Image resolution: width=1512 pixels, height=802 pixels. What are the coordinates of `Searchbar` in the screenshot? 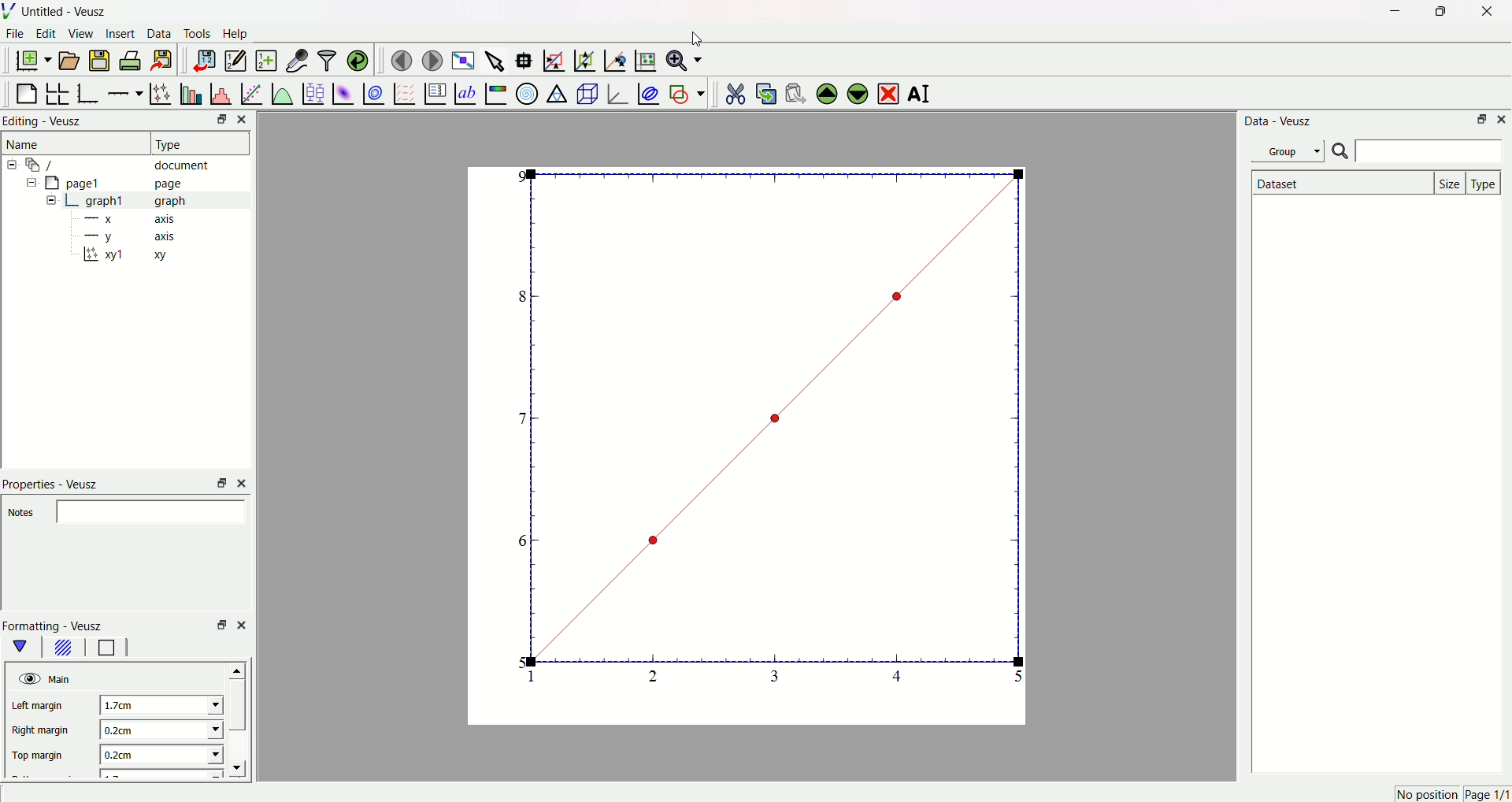 It's located at (1417, 152).